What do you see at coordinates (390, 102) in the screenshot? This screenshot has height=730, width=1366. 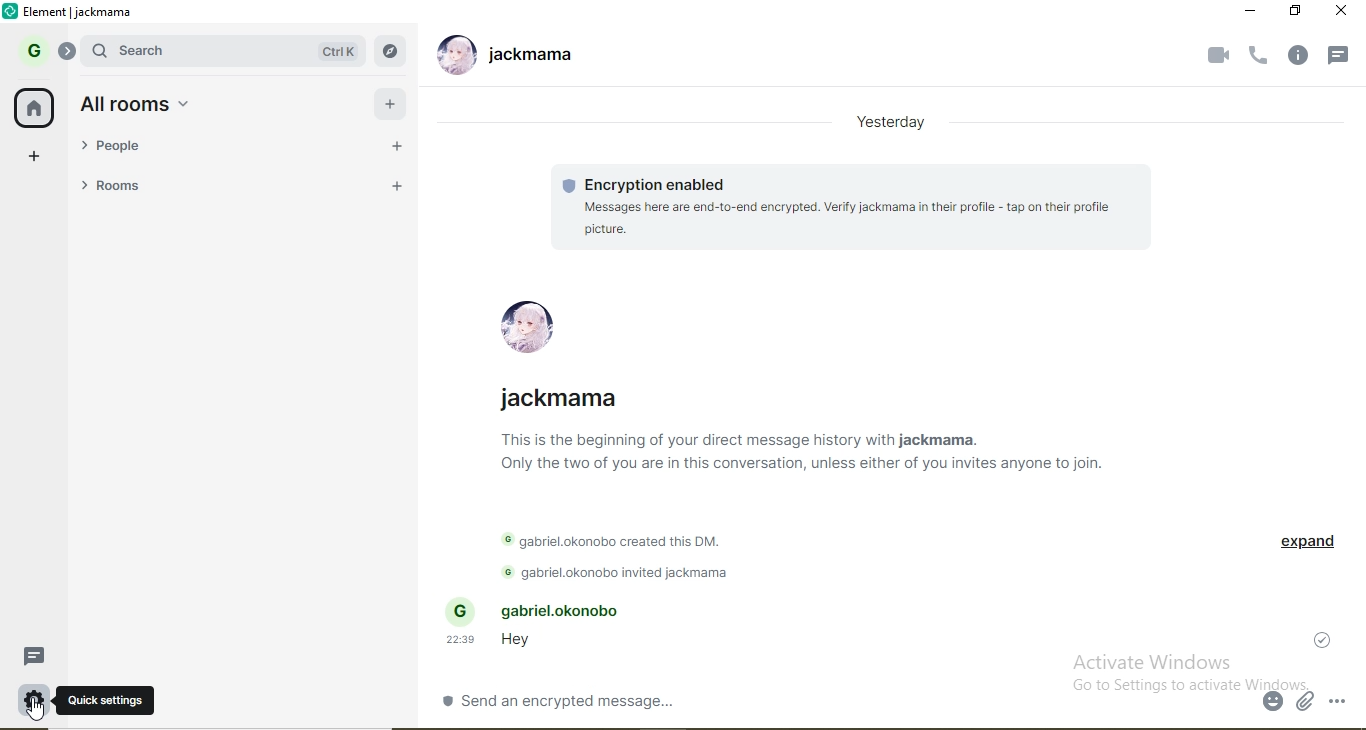 I see `all rooms` at bounding box center [390, 102].